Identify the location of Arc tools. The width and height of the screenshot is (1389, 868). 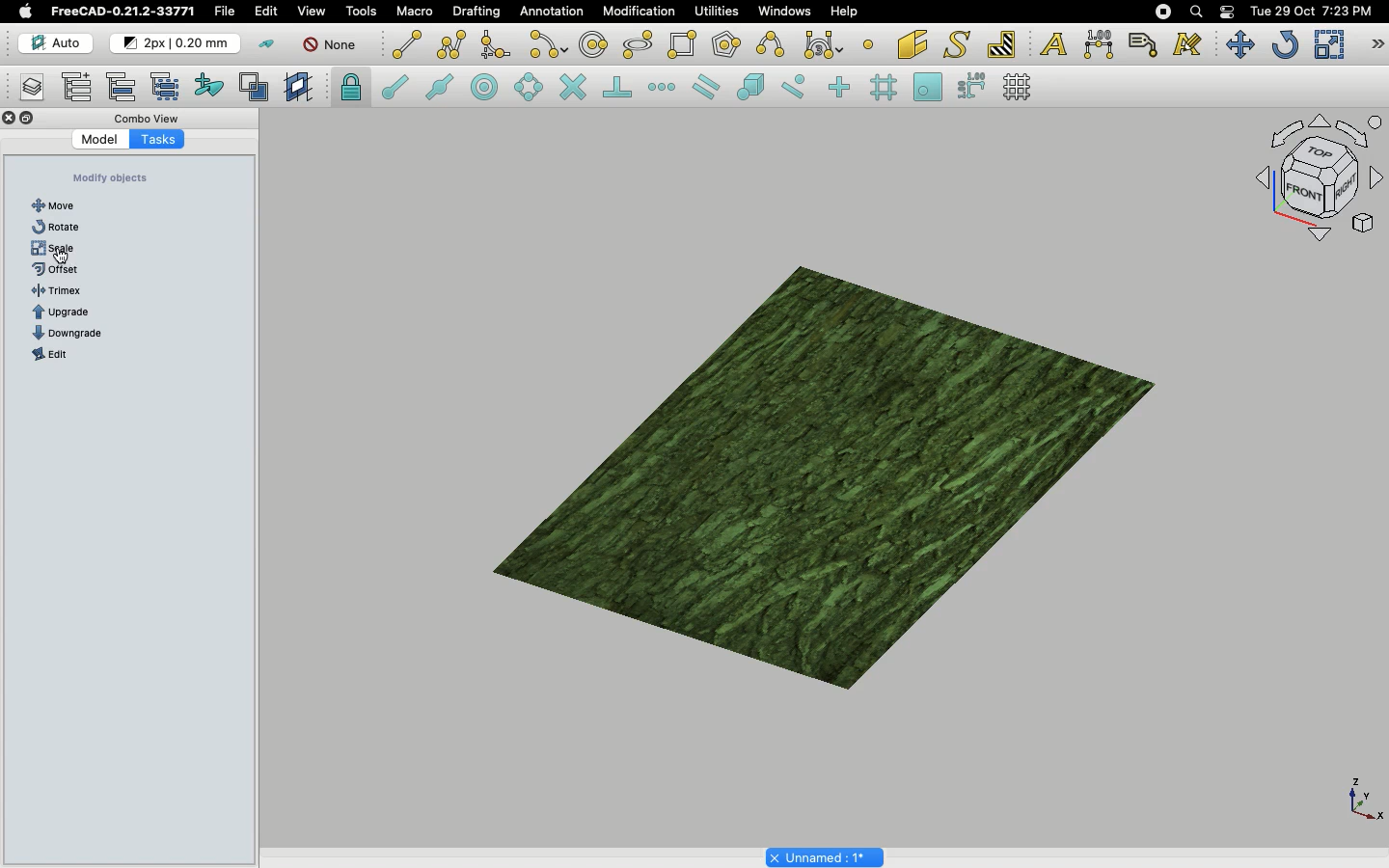
(546, 44).